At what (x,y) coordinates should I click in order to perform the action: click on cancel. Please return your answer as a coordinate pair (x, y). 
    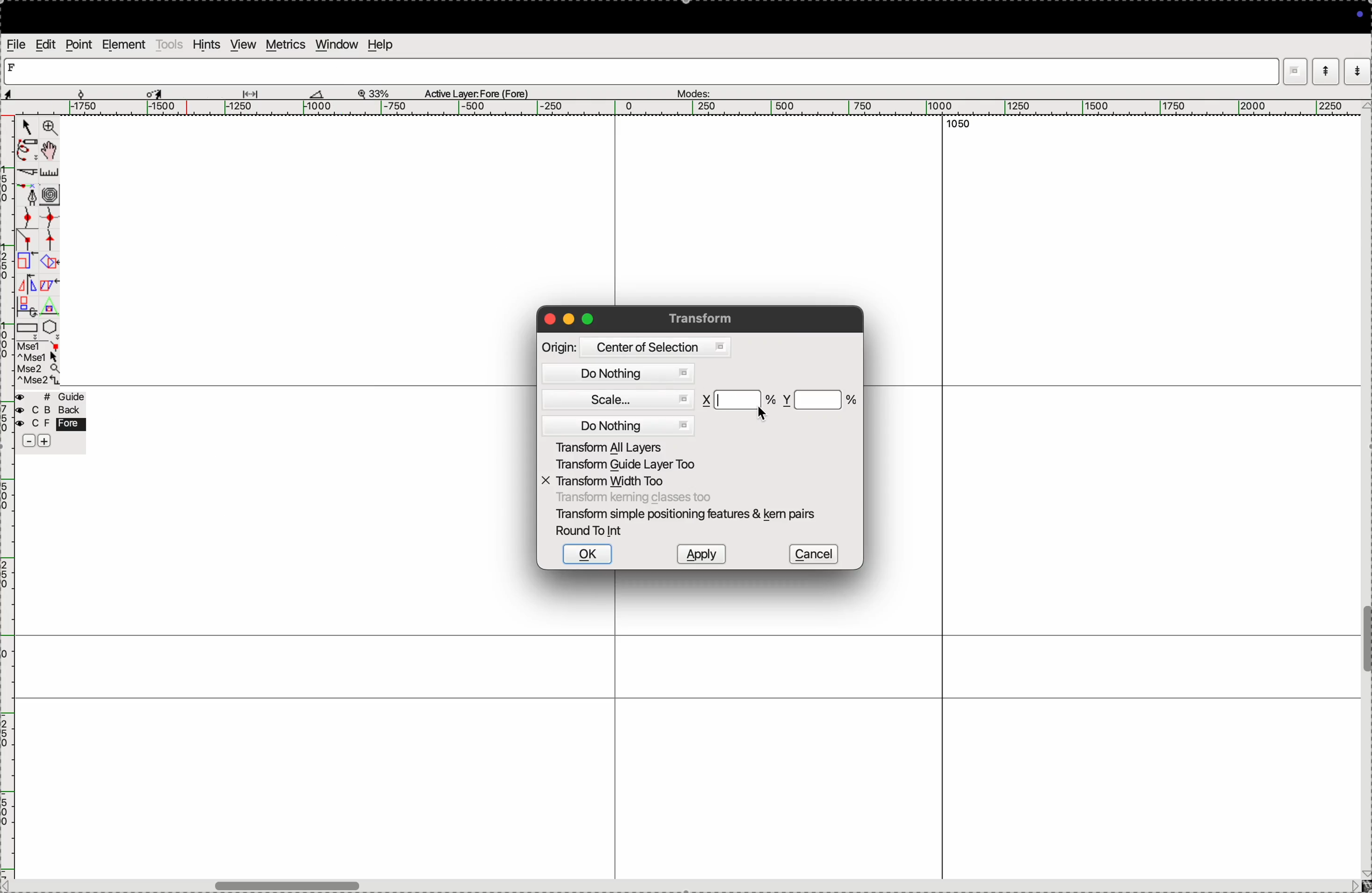
    Looking at the image, I should click on (813, 553).